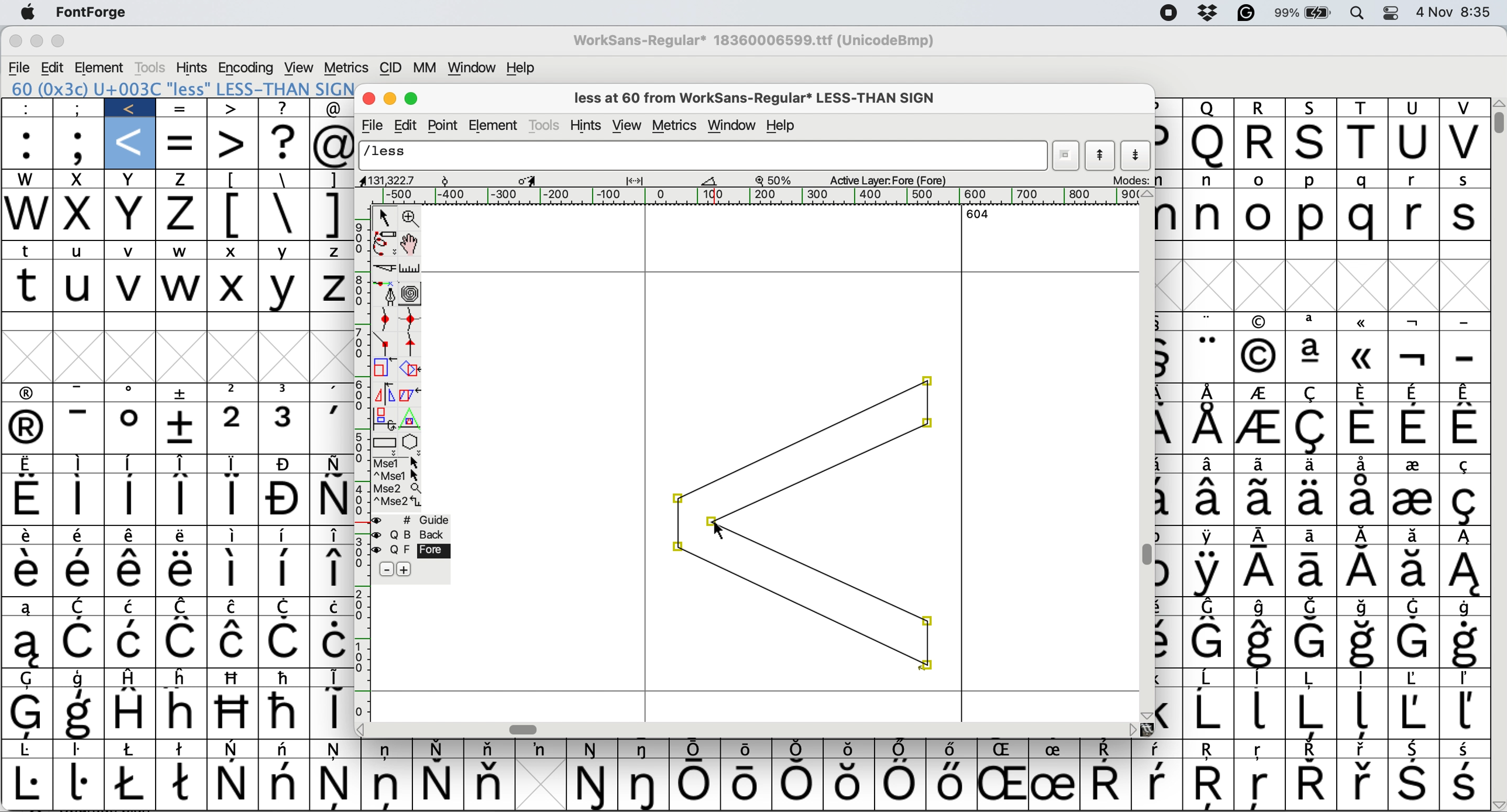  I want to click on Symbol, so click(182, 391).